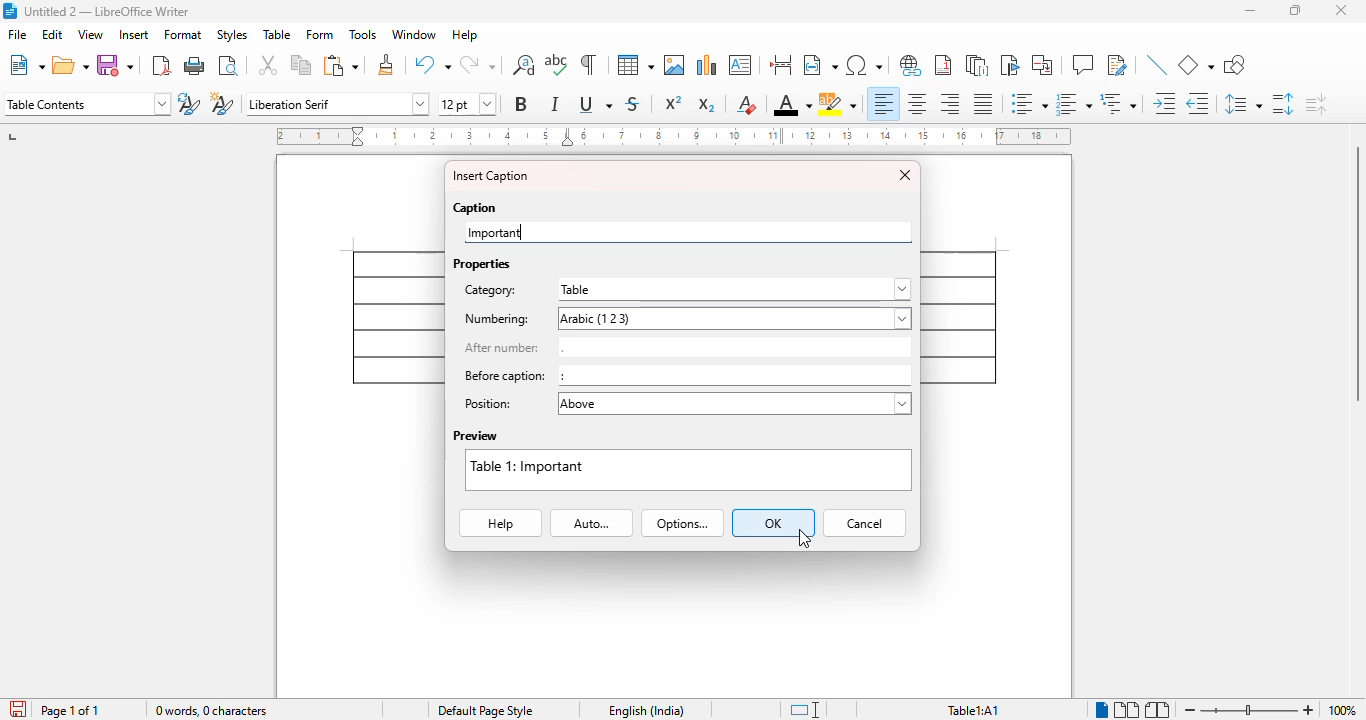  Describe the element at coordinates (1190, 711) in the screenshot. I see `zoom out` at that location.